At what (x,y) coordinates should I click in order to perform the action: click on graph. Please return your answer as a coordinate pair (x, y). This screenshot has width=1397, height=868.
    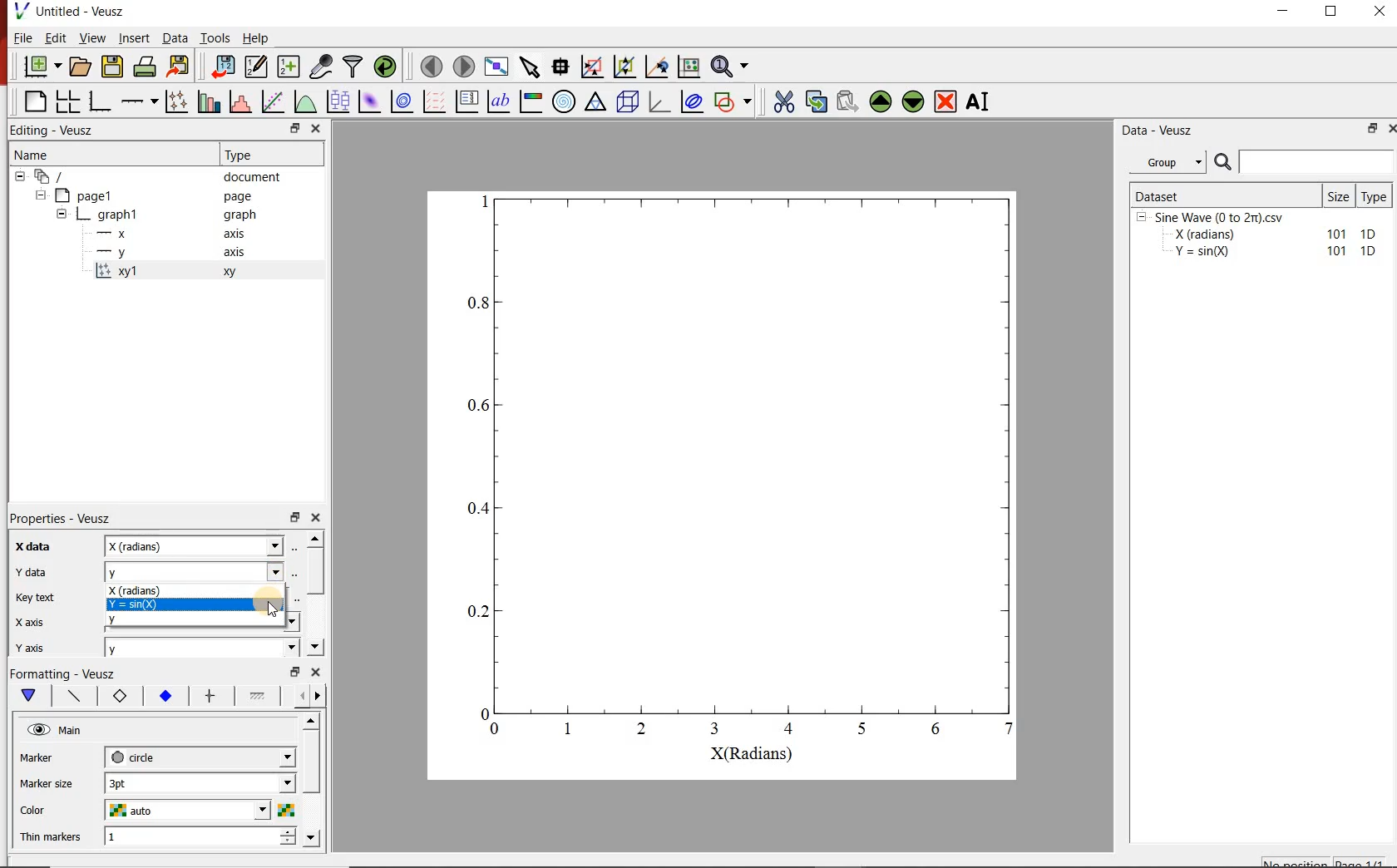
    Looking at the image, I should click on (238, 214).